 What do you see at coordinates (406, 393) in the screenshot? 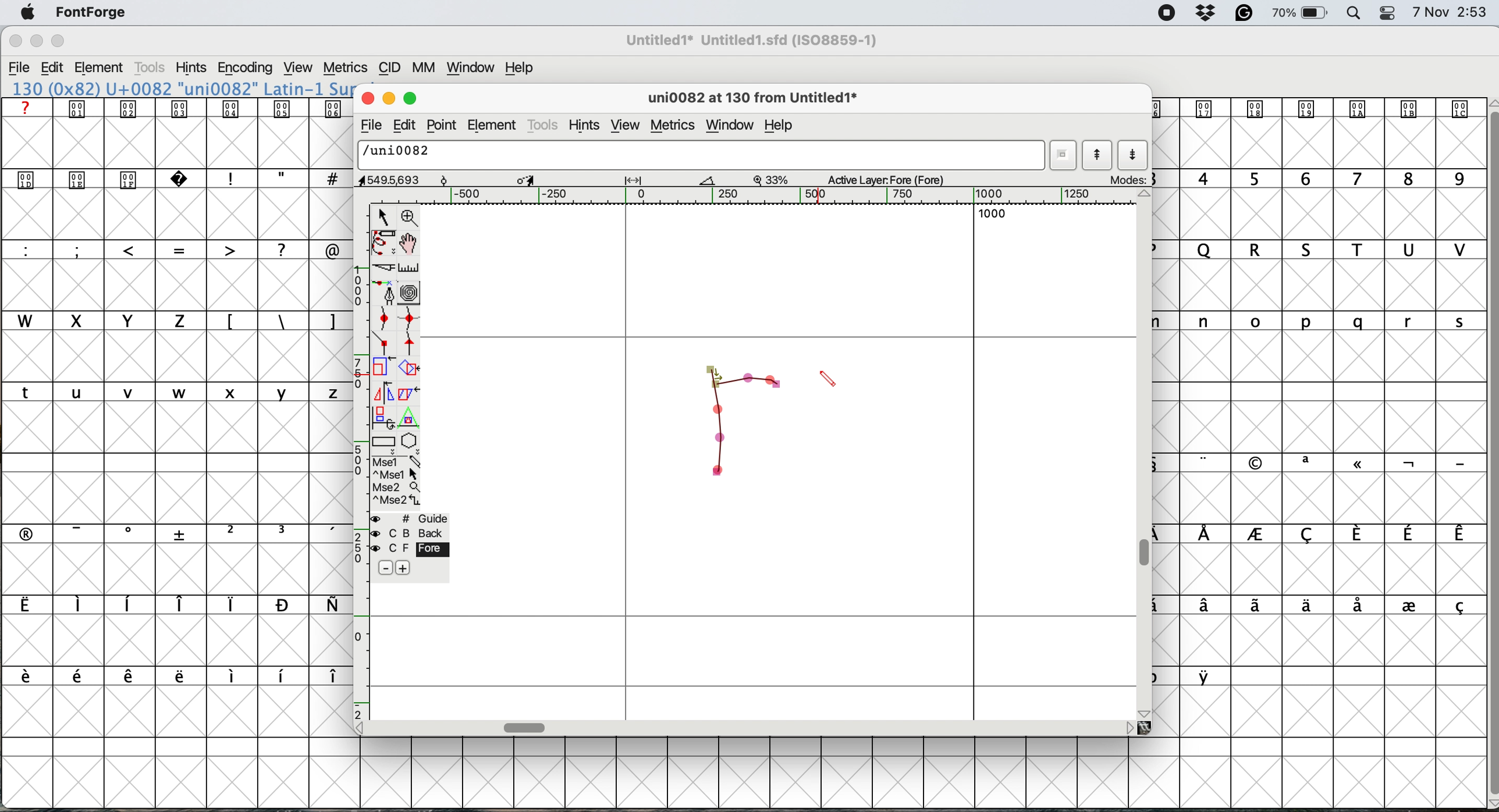
I see `skew selection` at bounding box center [406, 393].